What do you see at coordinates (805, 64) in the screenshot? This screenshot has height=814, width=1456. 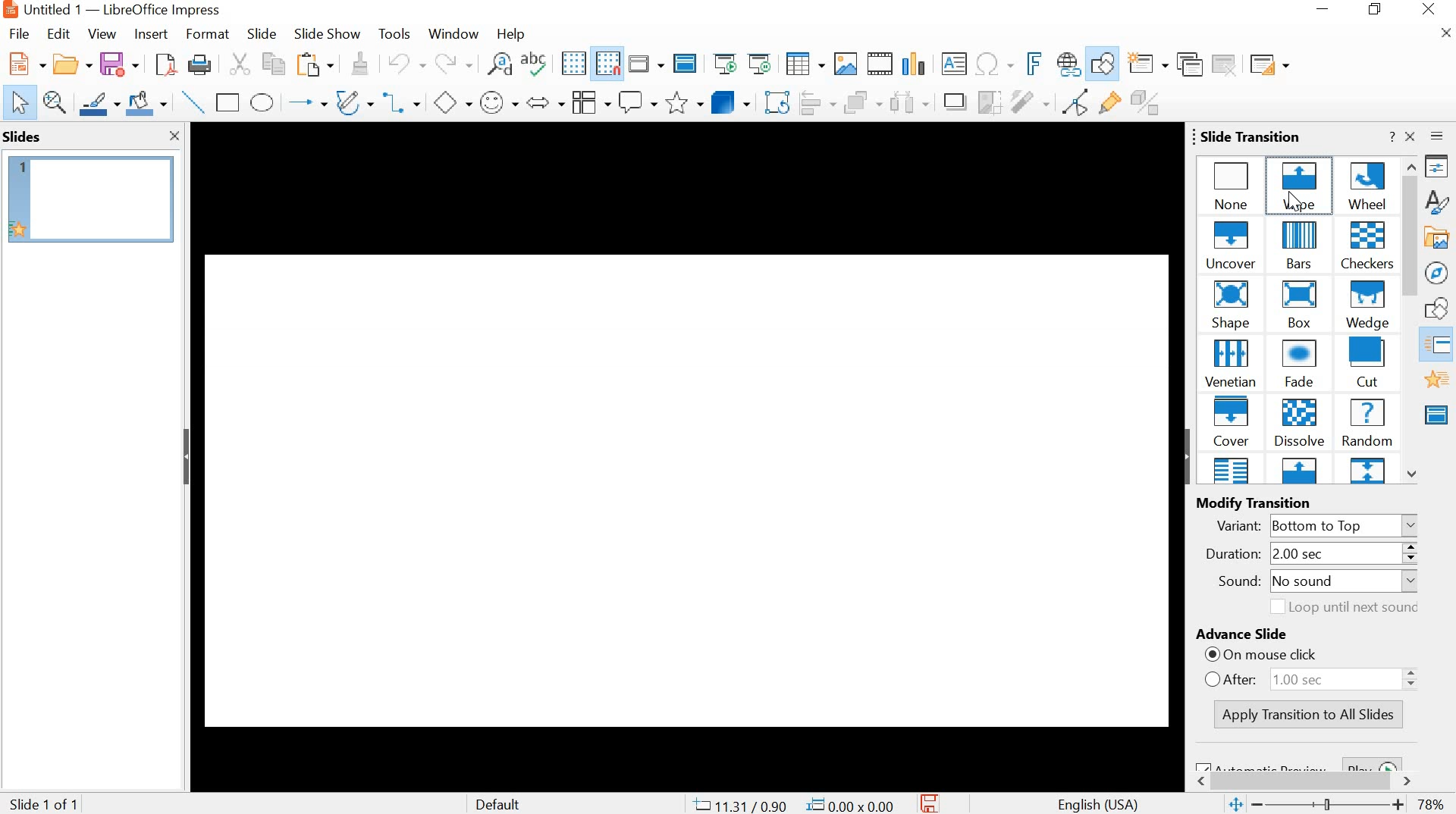 I see `Table` at bounding box center [805, 64].